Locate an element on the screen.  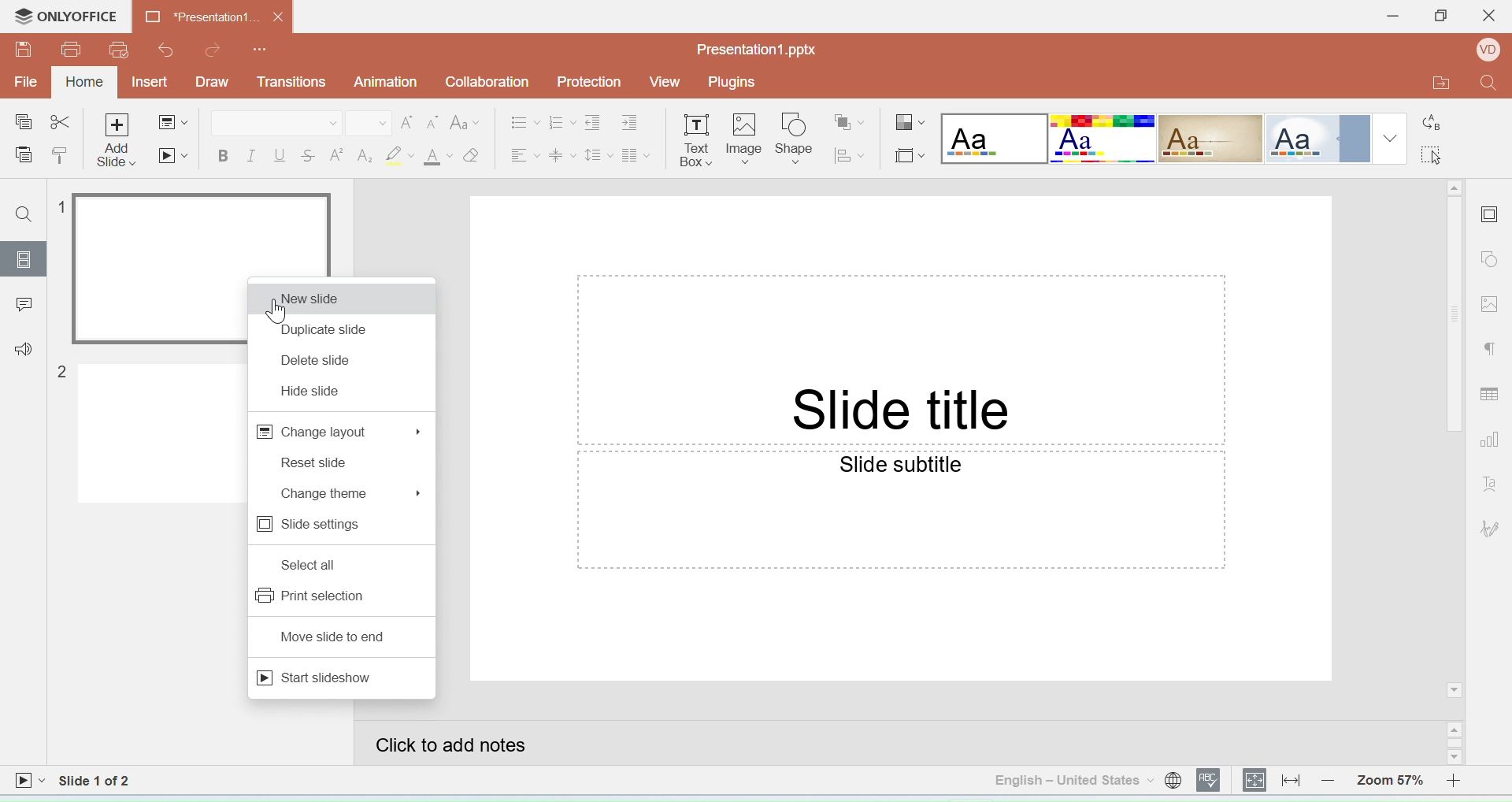
Draw is located at coordinates (212, 83).